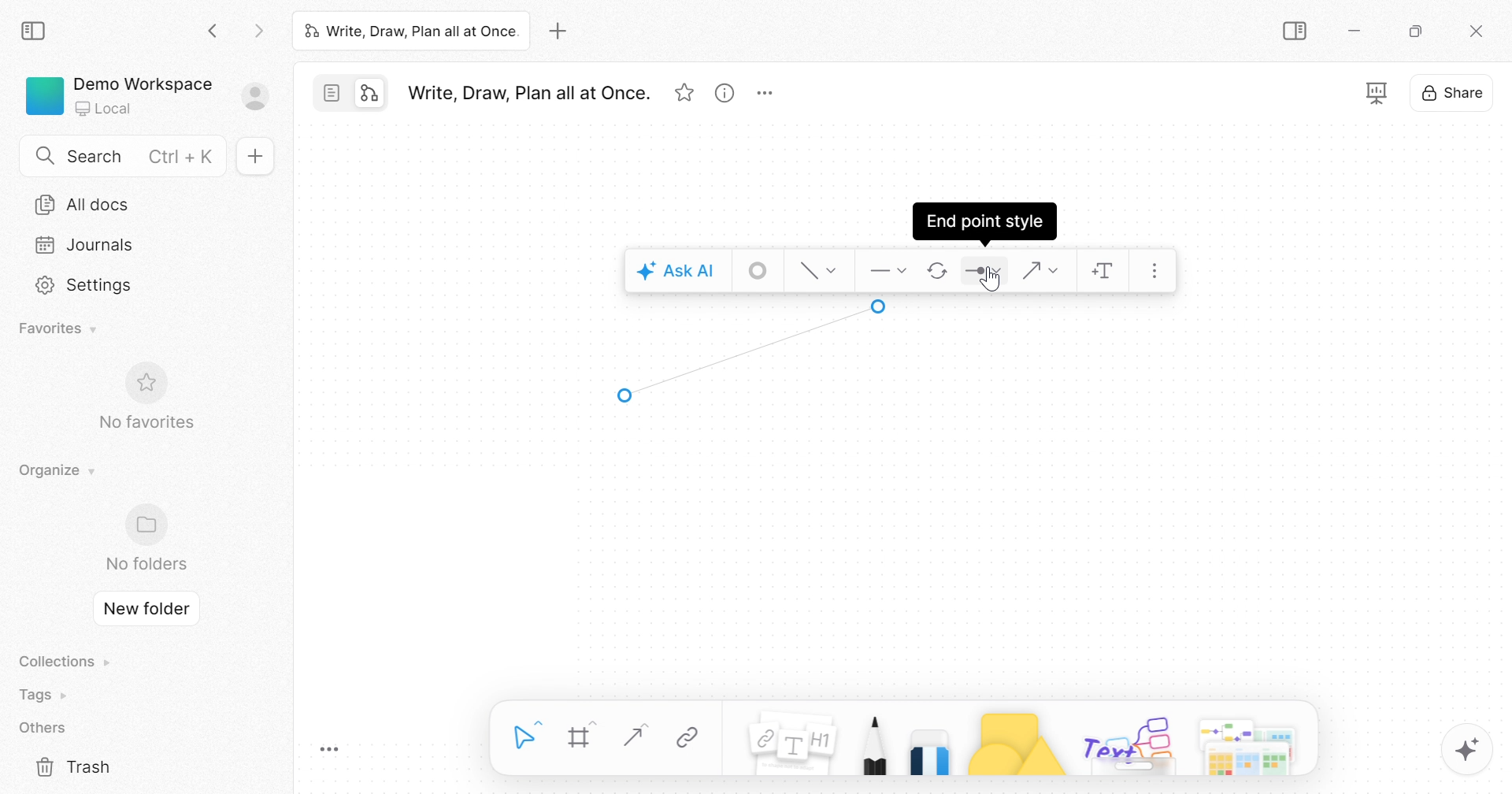  Describe the element at coordinates (147, 609) in the screenshot. I see `New folder` at that location.